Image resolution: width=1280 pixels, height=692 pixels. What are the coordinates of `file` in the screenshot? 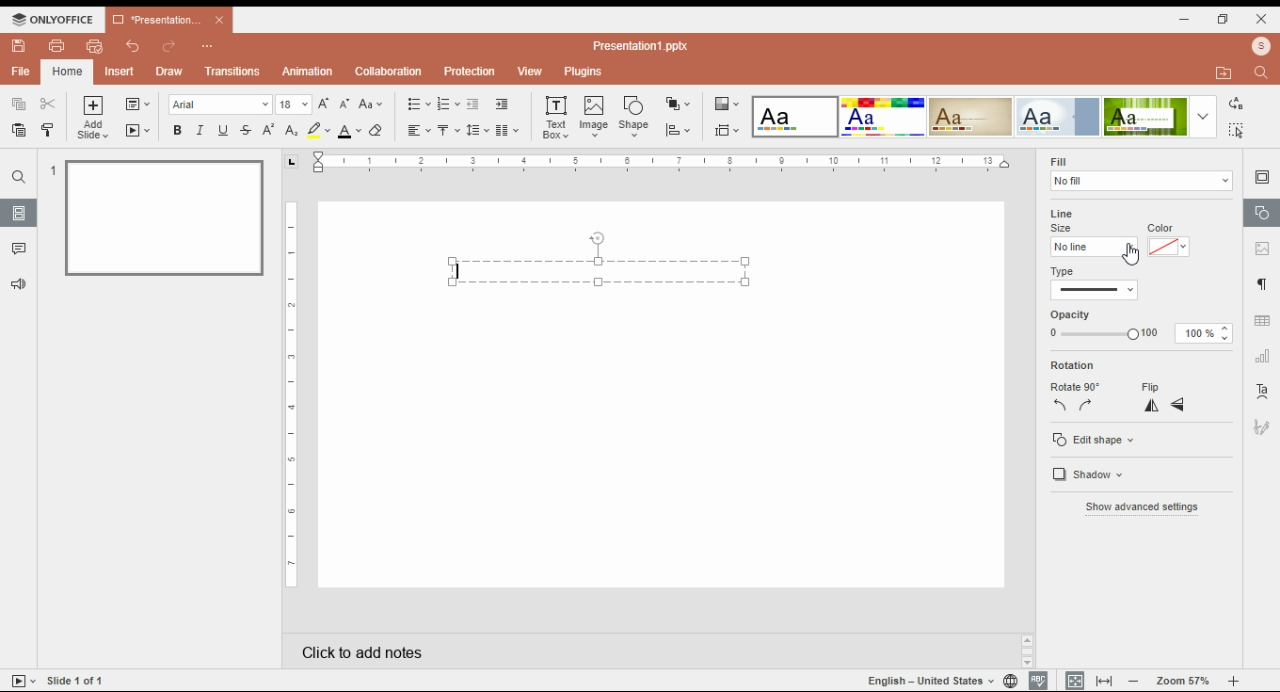 It's located at (20, 71).